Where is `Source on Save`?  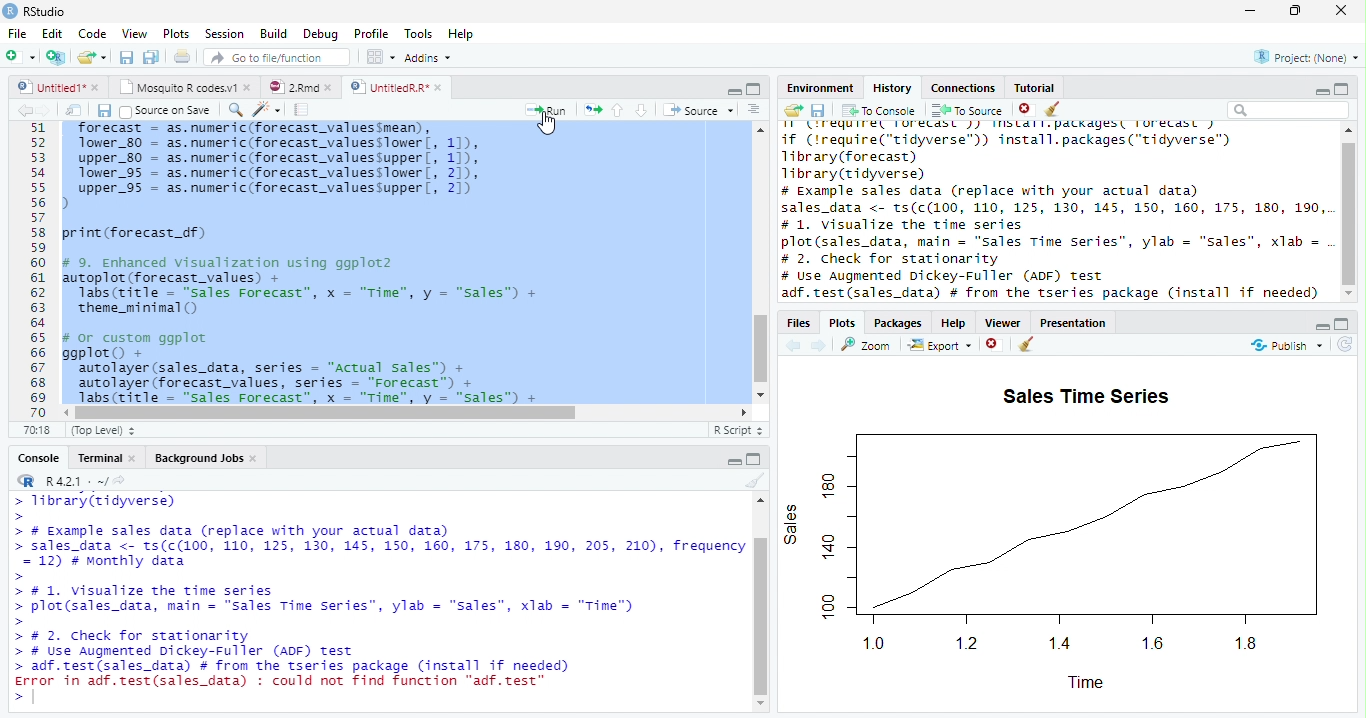
Source on Save is located at coordinates (165, 111).